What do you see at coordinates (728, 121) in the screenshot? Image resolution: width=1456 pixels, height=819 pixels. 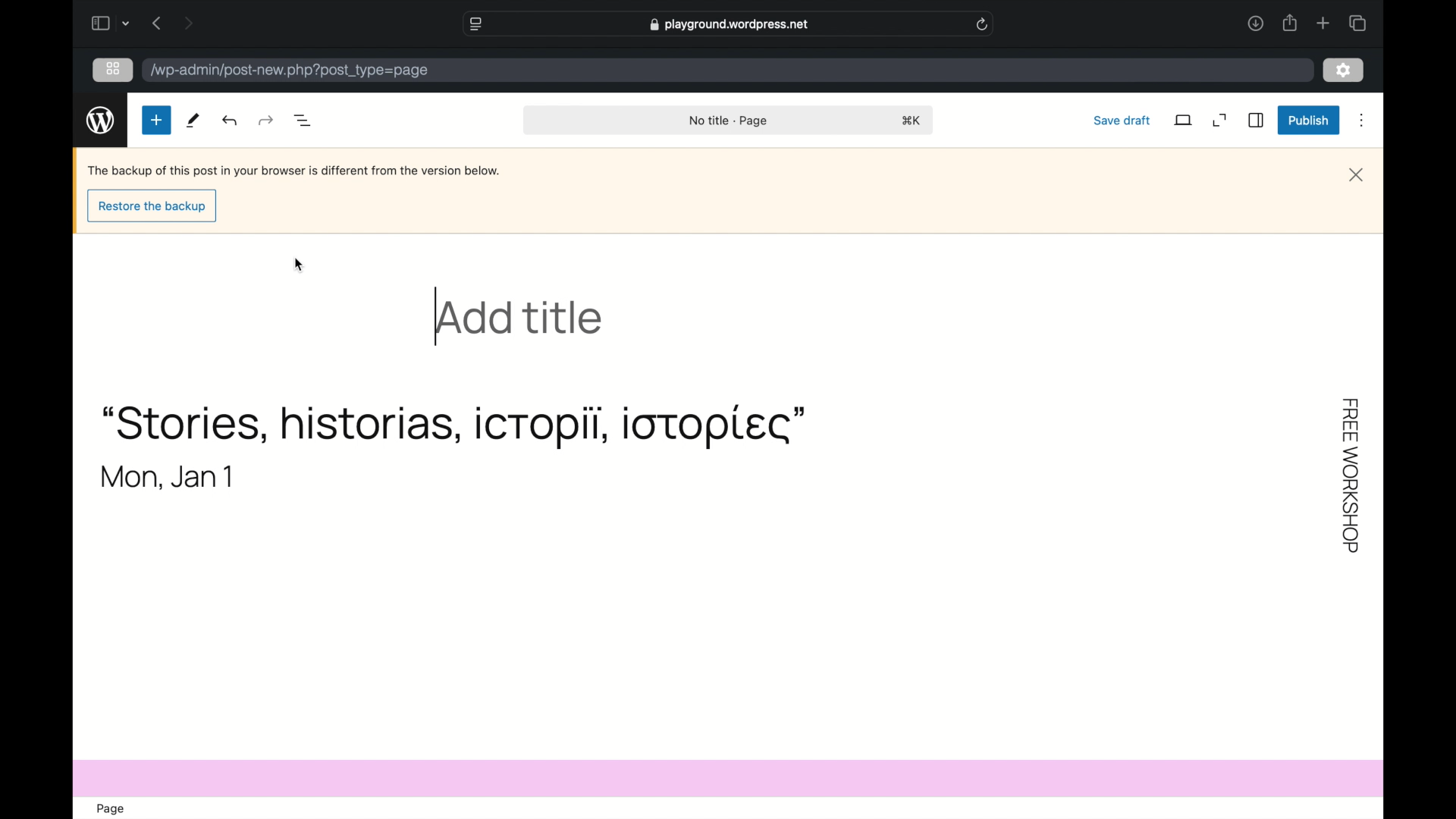 I see `no title- page` at bounding box center [728, 121].